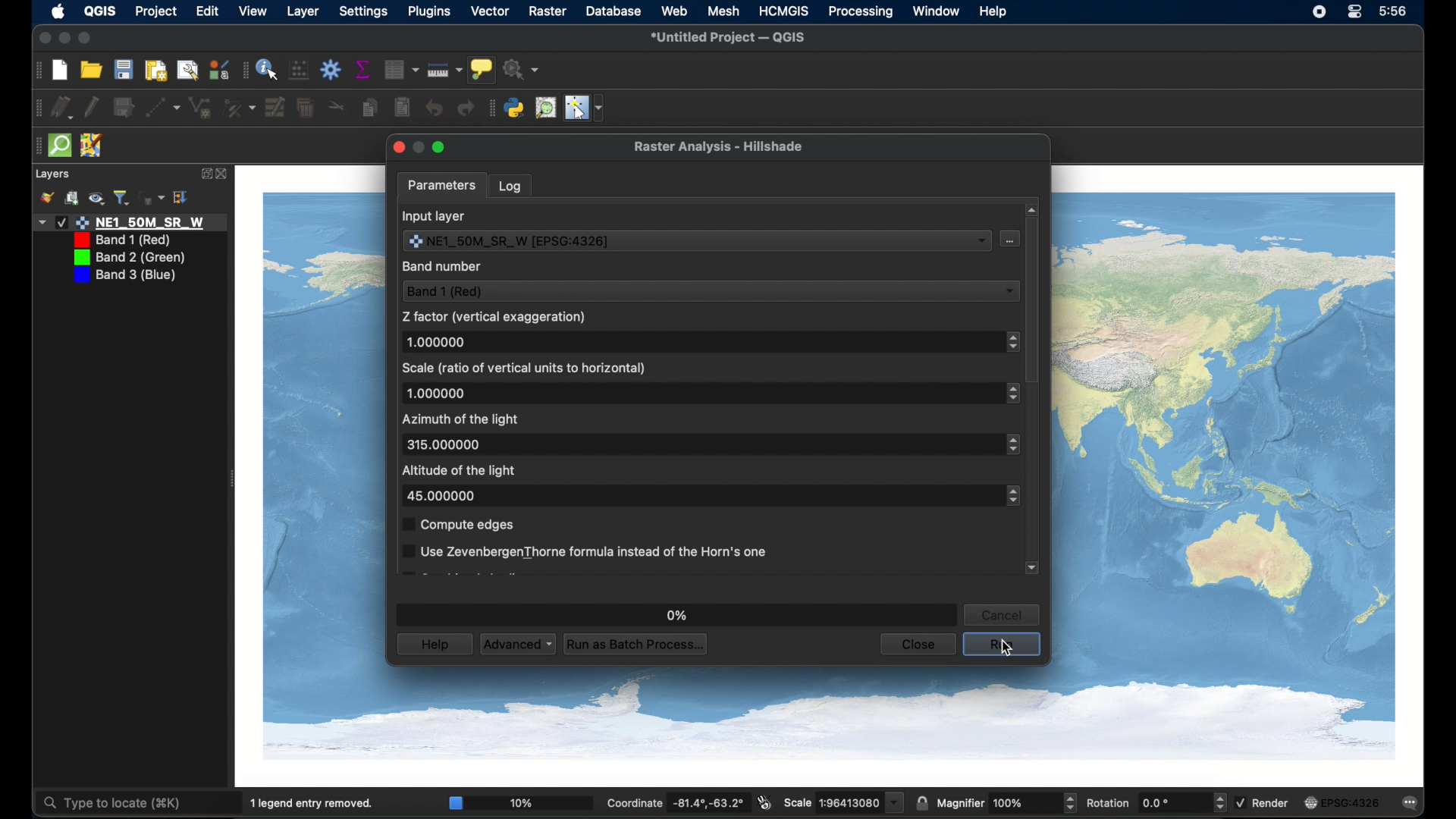  I want to click on drag handle, so click(36, 108).